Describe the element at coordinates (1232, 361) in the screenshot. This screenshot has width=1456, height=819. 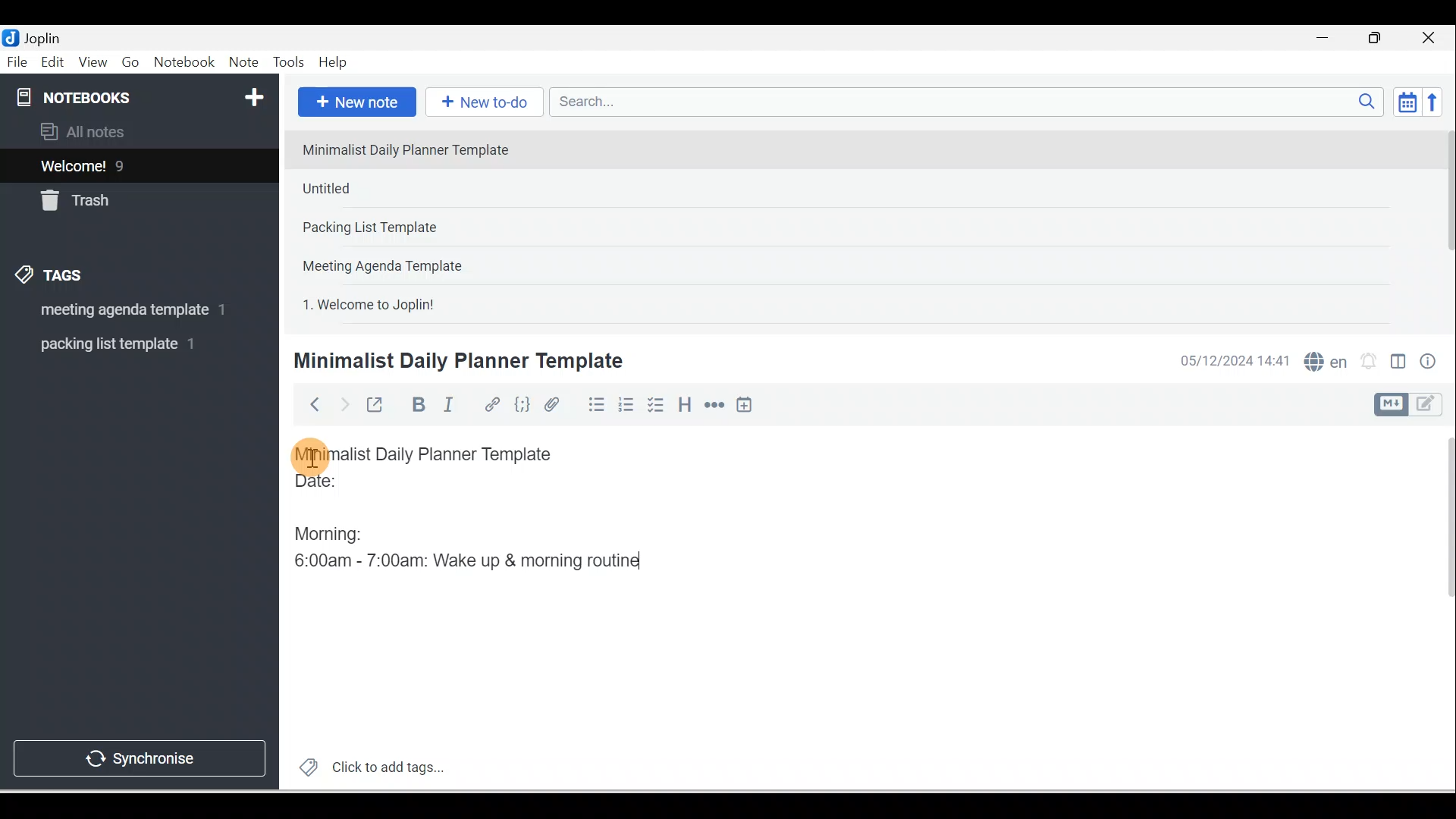
I see `Date & time` at that location.